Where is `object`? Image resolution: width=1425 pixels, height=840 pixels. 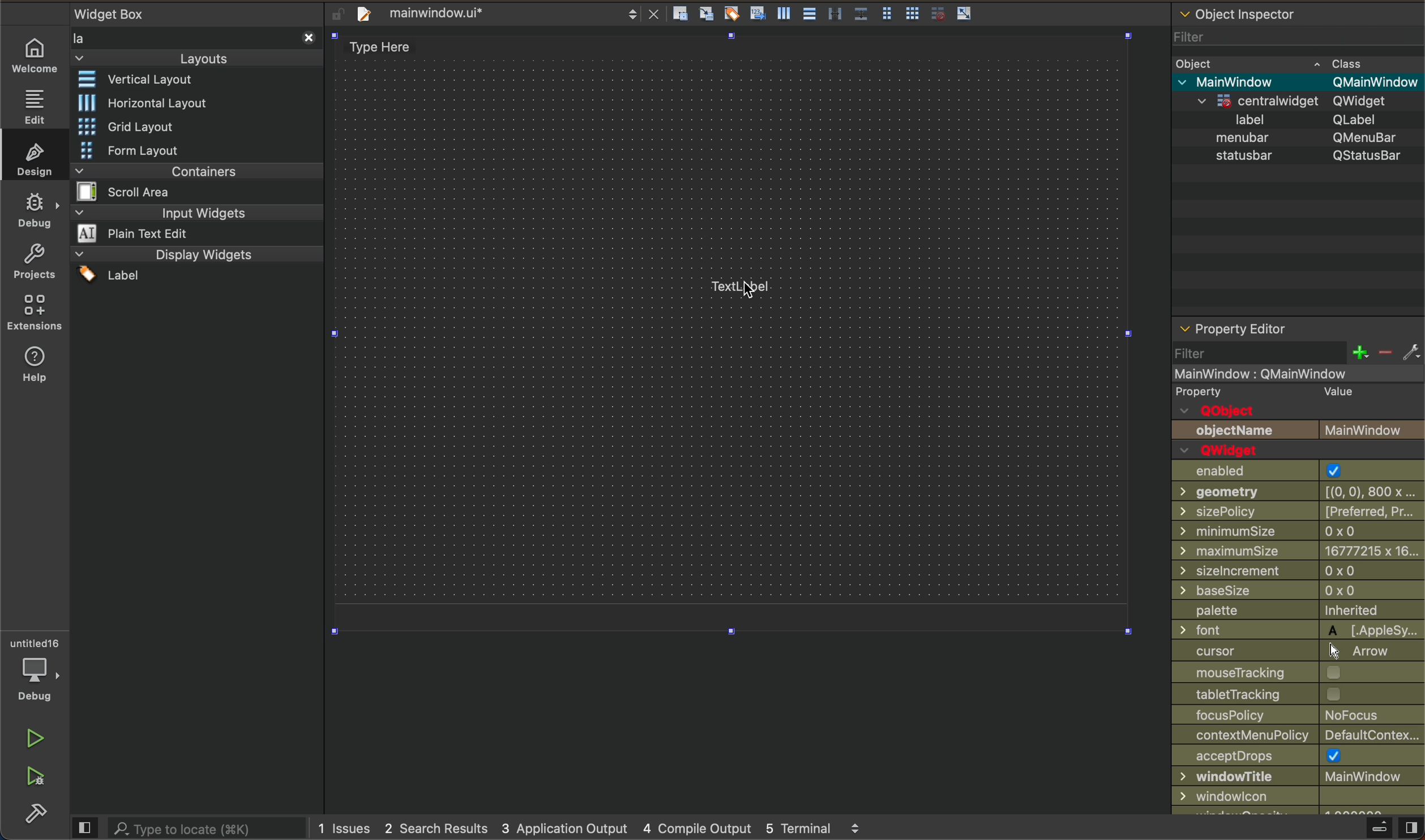
object is located at coordinates (1281, 64).